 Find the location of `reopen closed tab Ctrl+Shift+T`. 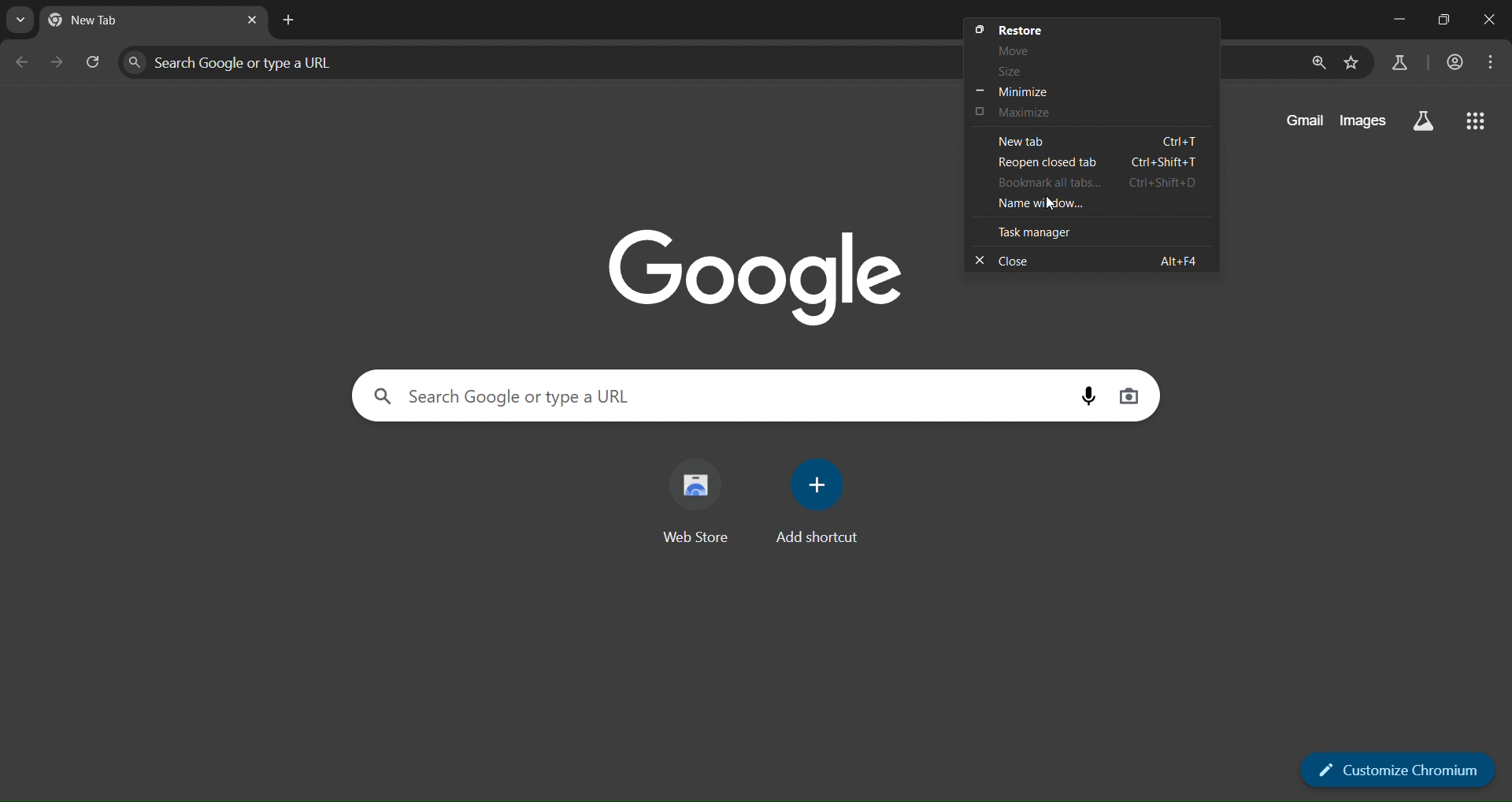

reopen closed tab Ctrl+Shift+T is located at coordinates (1098, 163).